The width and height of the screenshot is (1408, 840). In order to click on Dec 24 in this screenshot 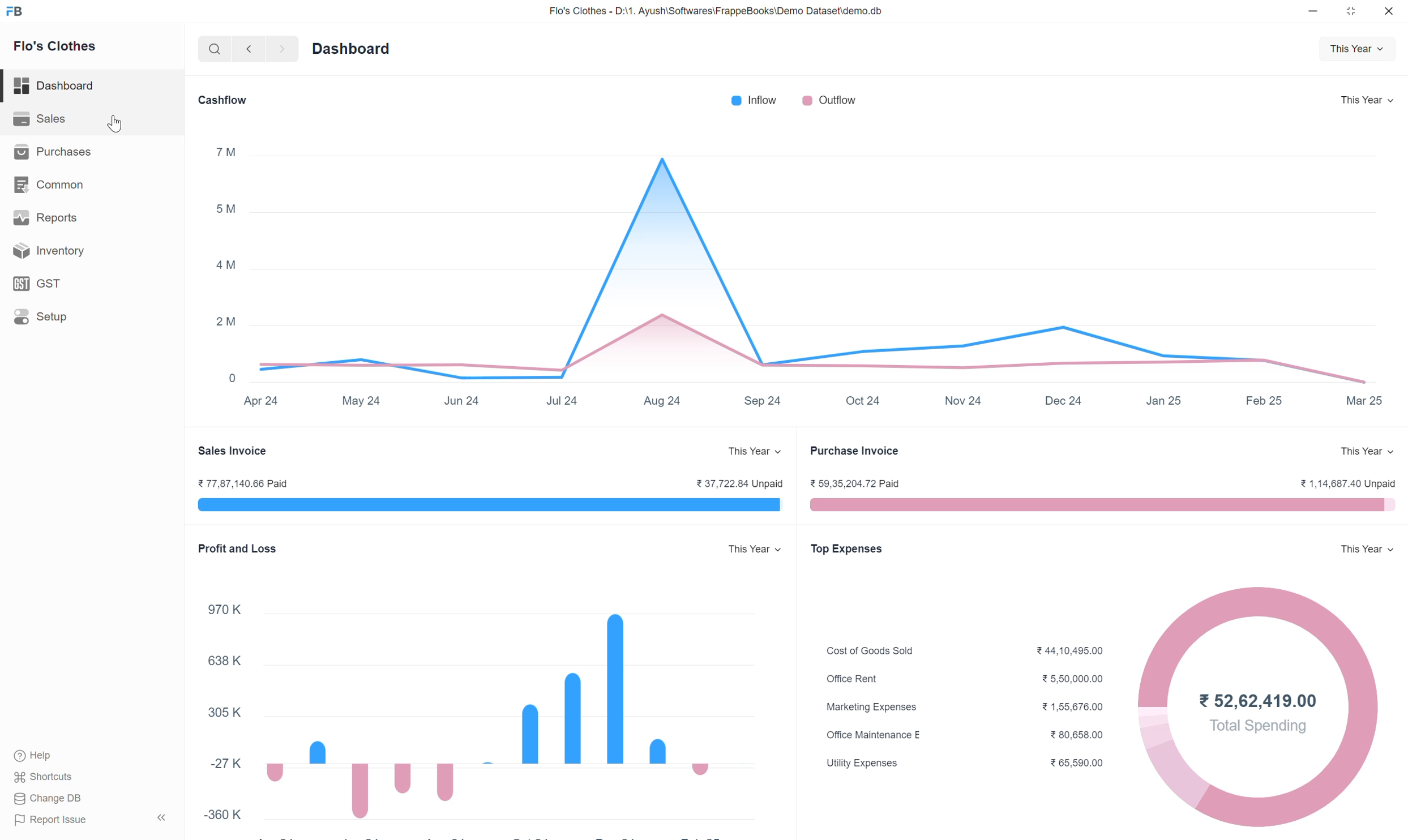, I will do `click(1062, 400)`.